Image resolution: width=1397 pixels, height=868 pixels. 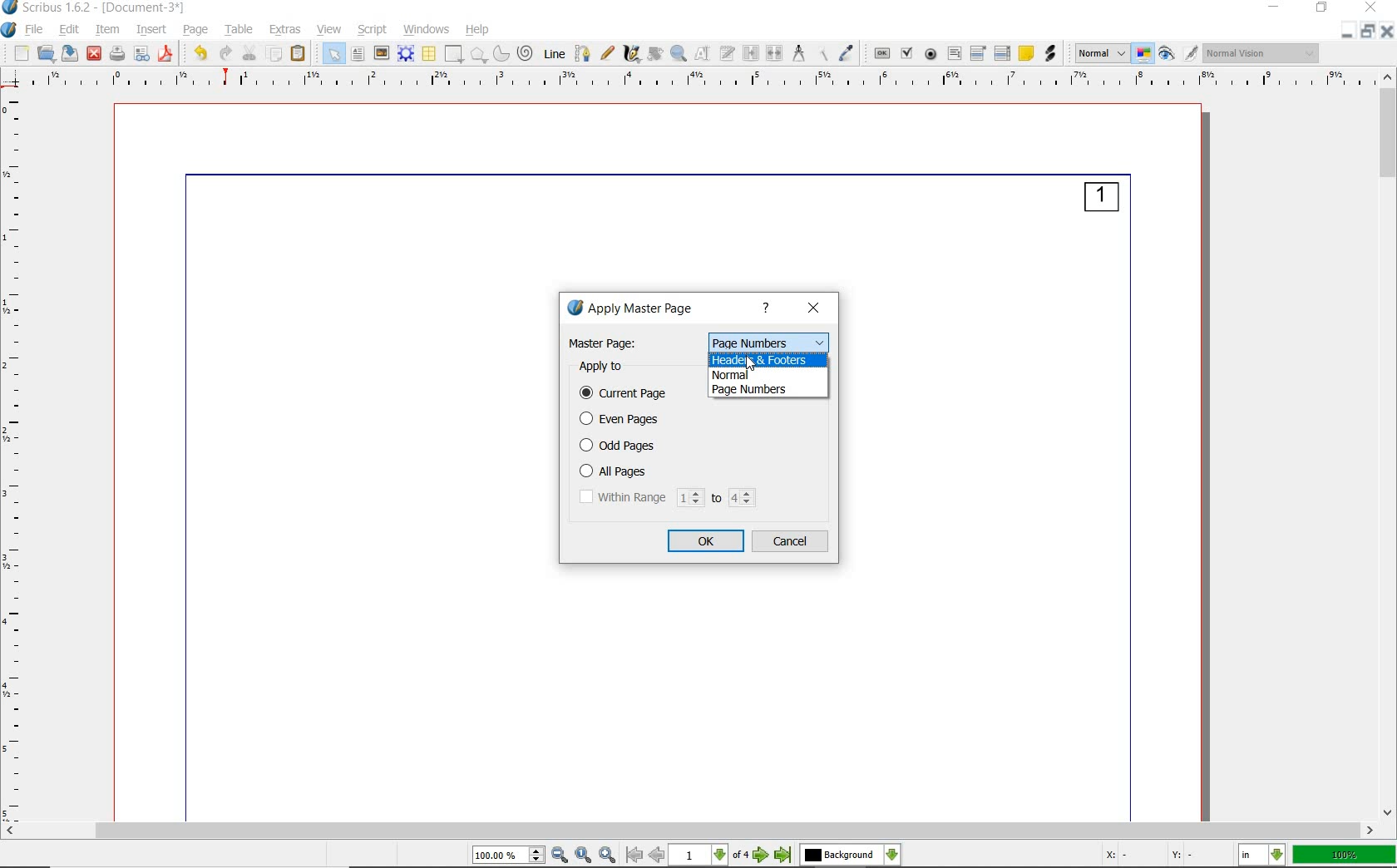 What do you see at coordinates (510, 856) in the screenshot?
I see `select current zoom level` at bounding box center [510, 856].